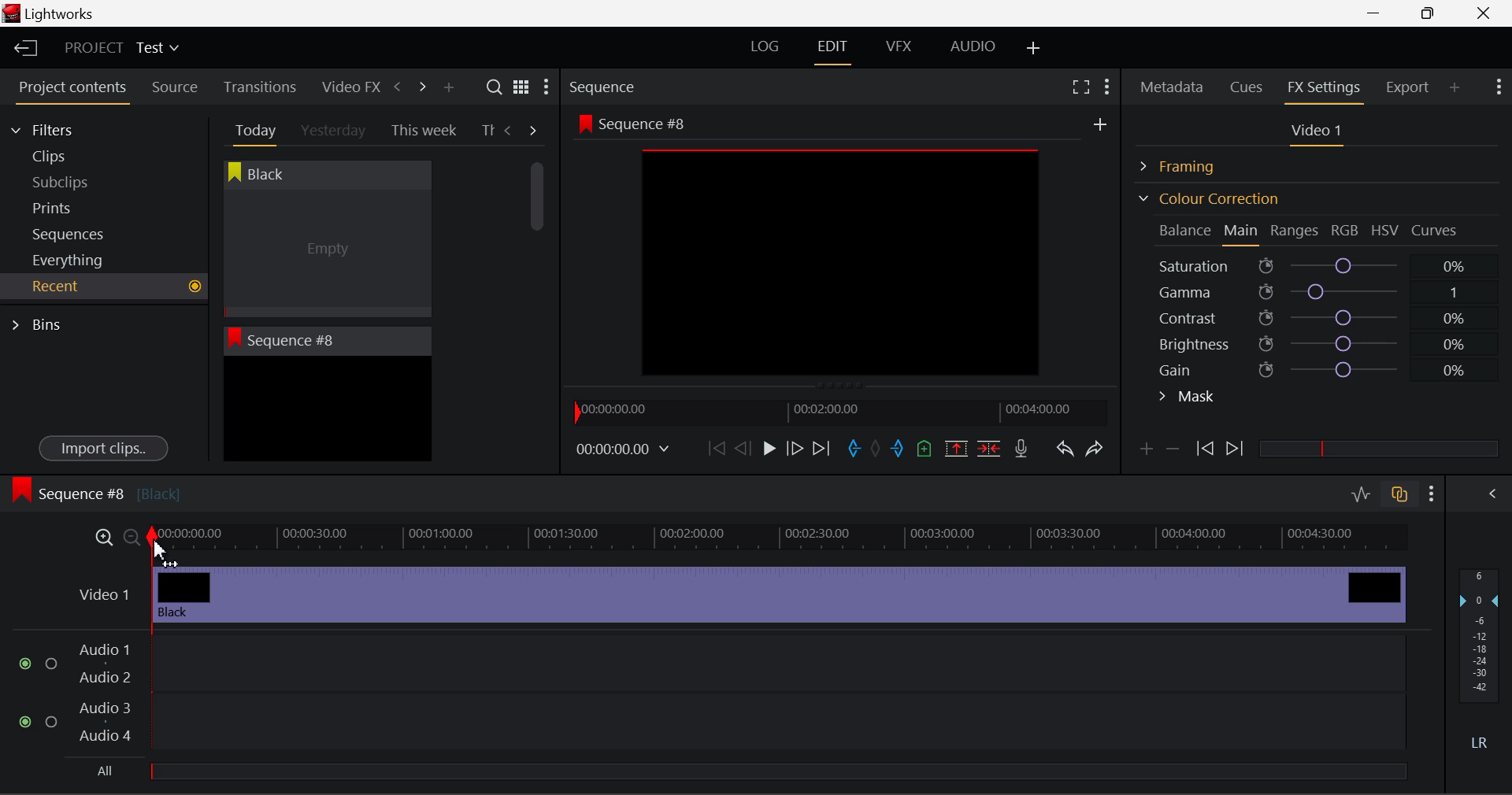 This screenshot has height=795, width=1512. What do you see at coordinates (1362, 492) in the screenshot?
I see `Toggle audio editing levels` at bounding box center [1362, 492].